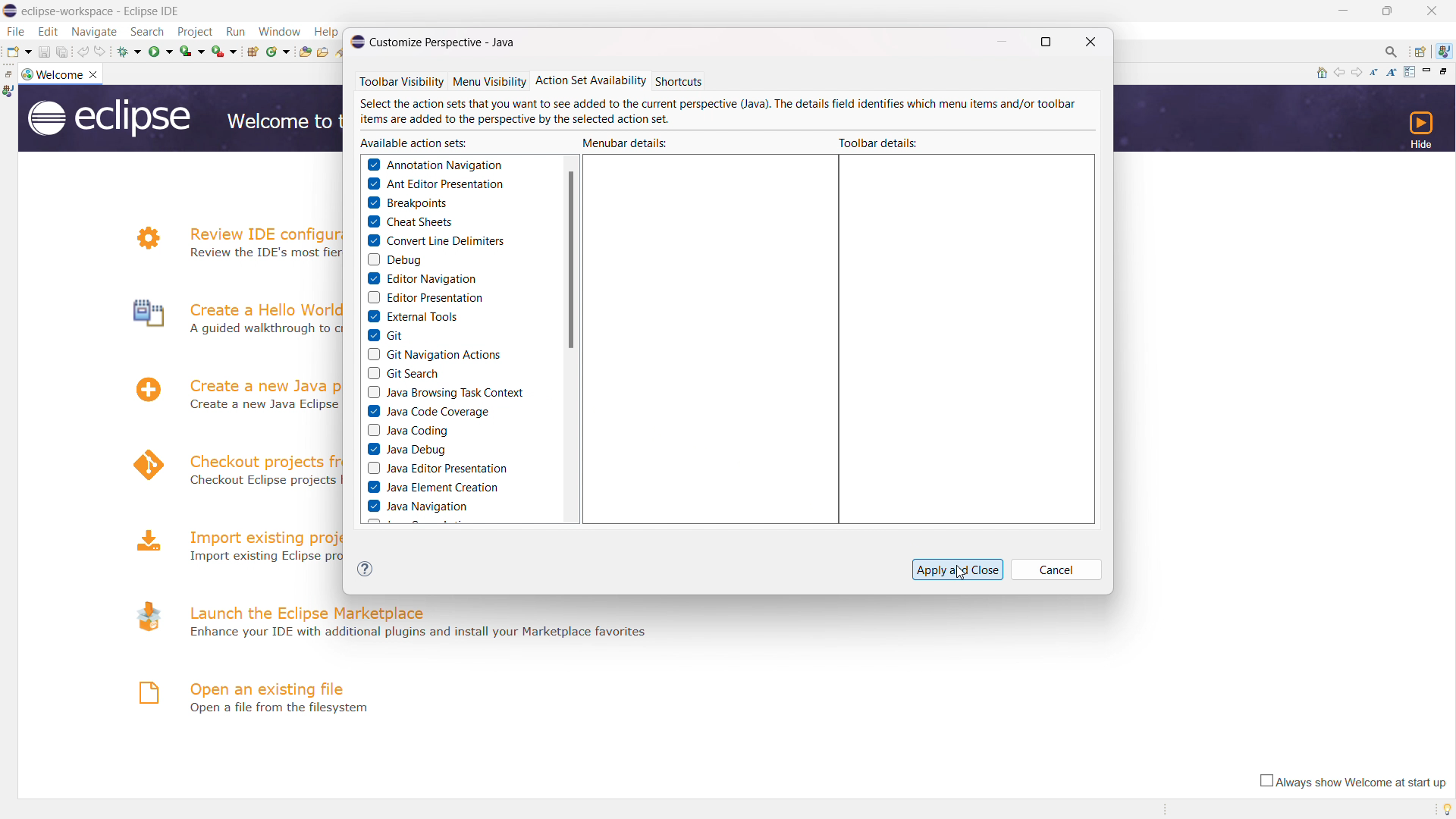  I want to click on open an existing file, so click(268, 688).